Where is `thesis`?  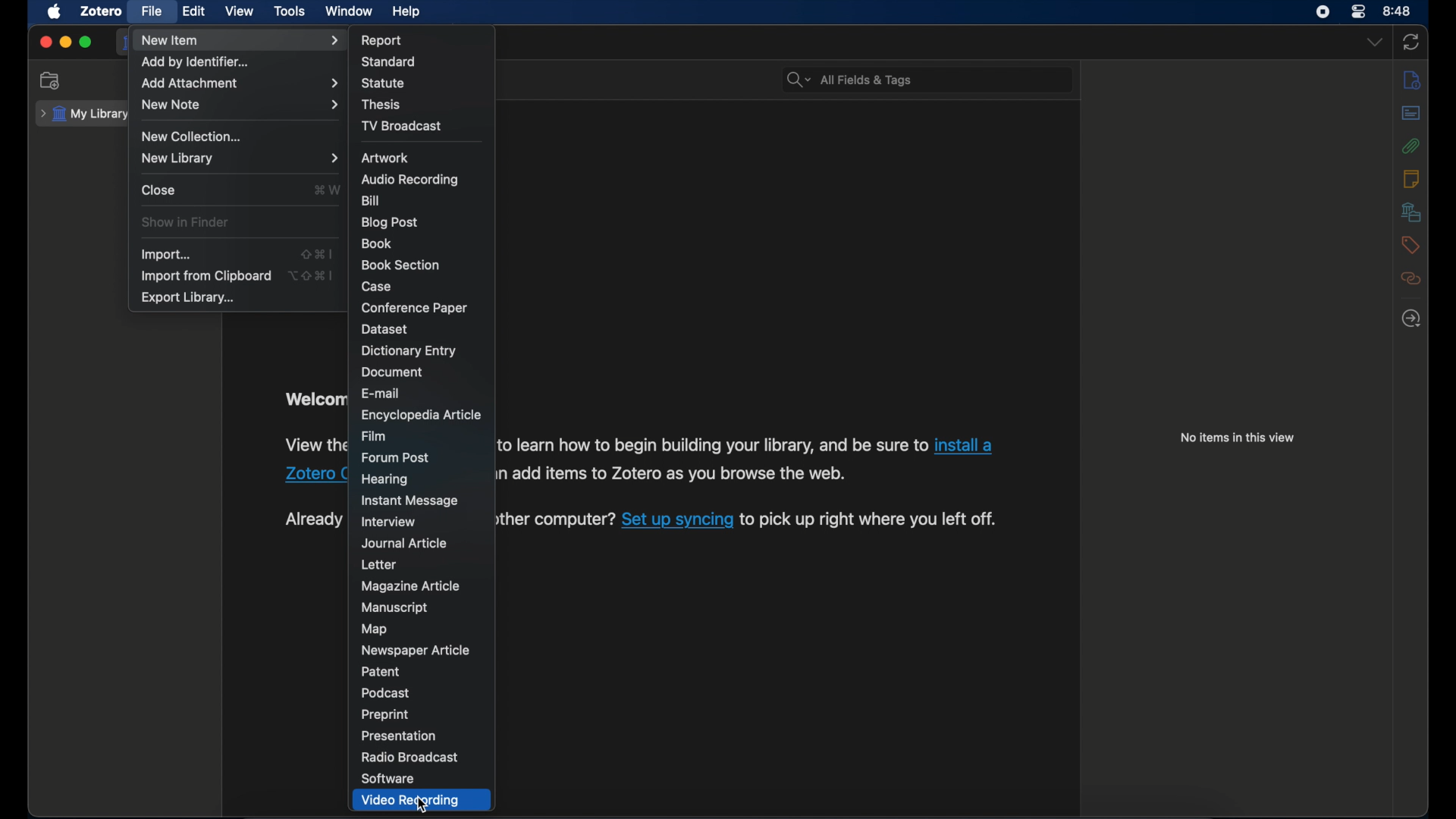 thesis is located at coordinates (382, 104).